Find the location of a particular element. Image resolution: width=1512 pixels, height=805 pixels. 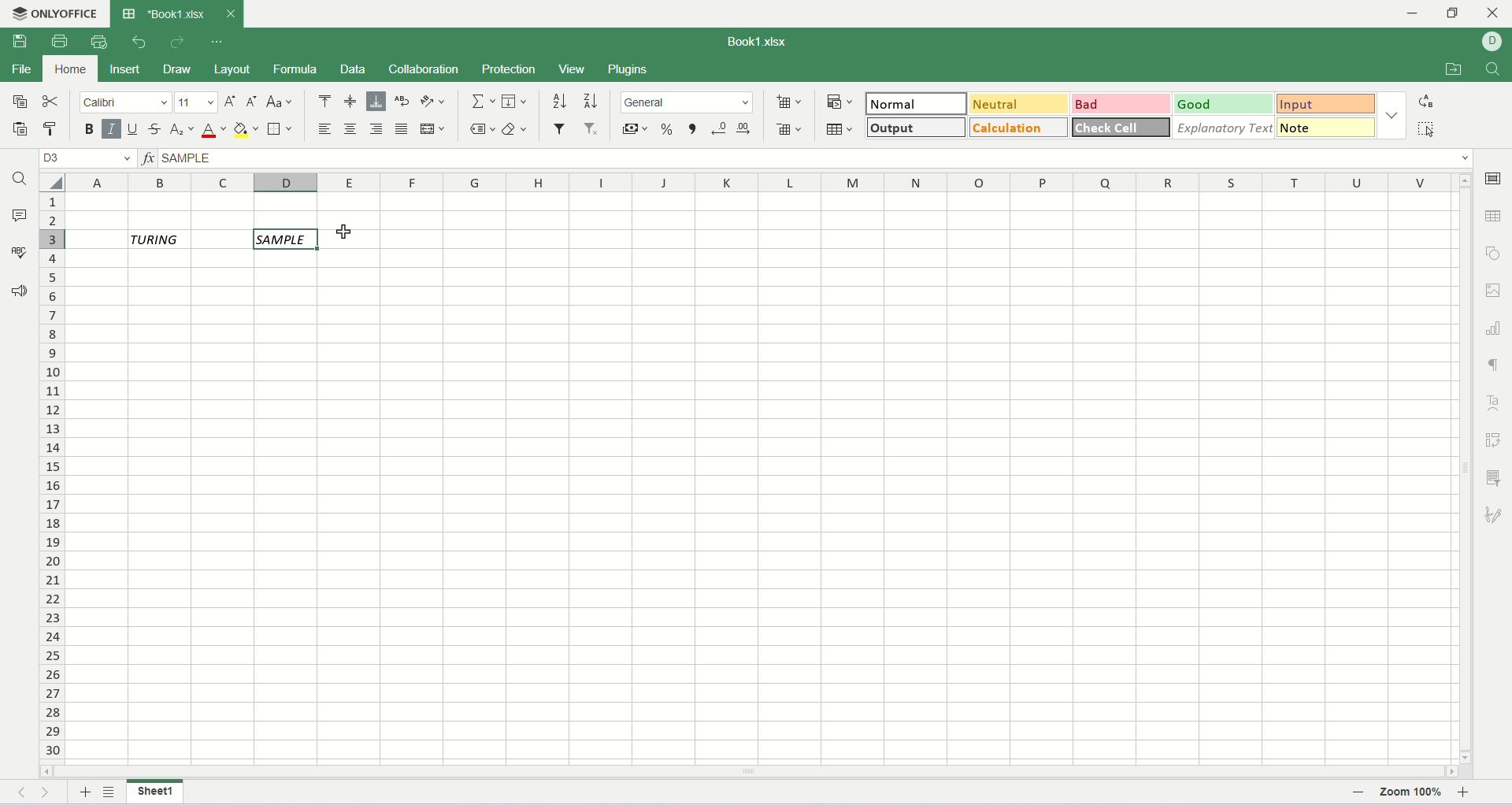

replace is located at coordinates (1429, 101).